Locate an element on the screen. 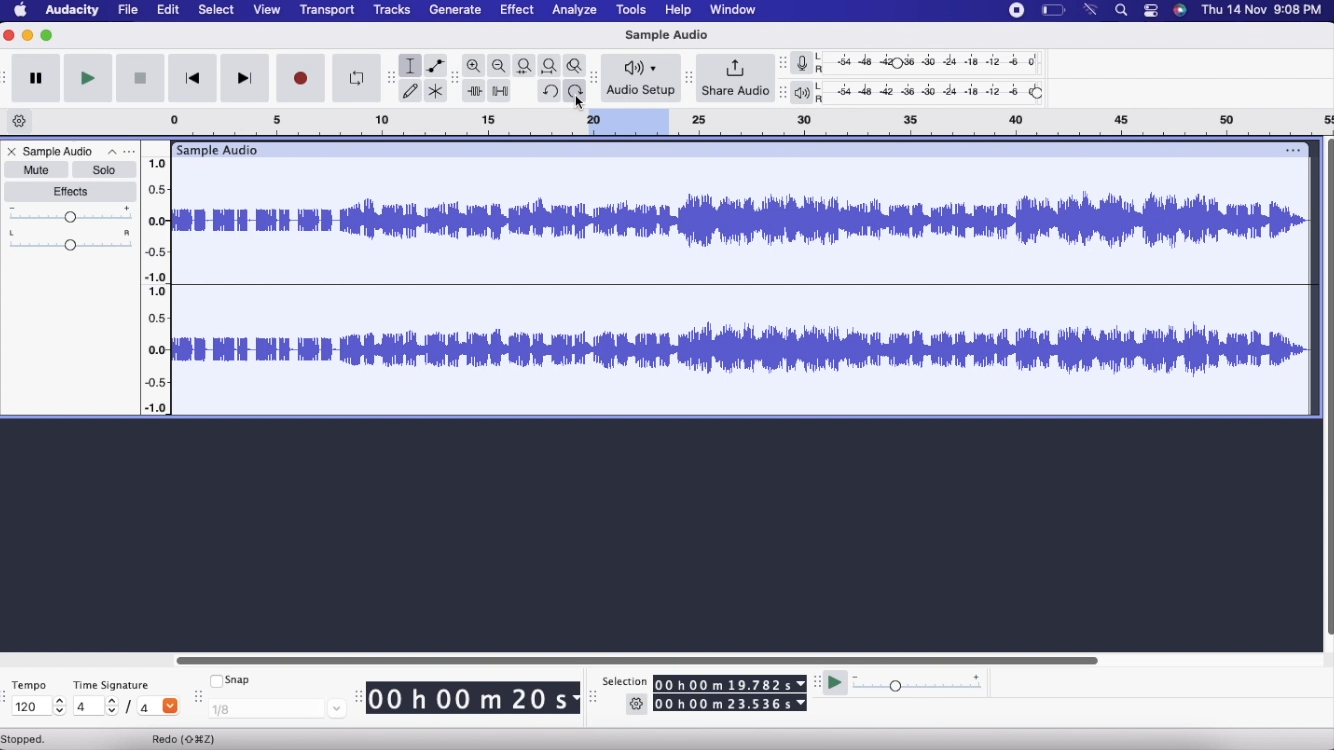 This screenshot has width=1334, height=750. Maximize is located at coordinates (47, 35).